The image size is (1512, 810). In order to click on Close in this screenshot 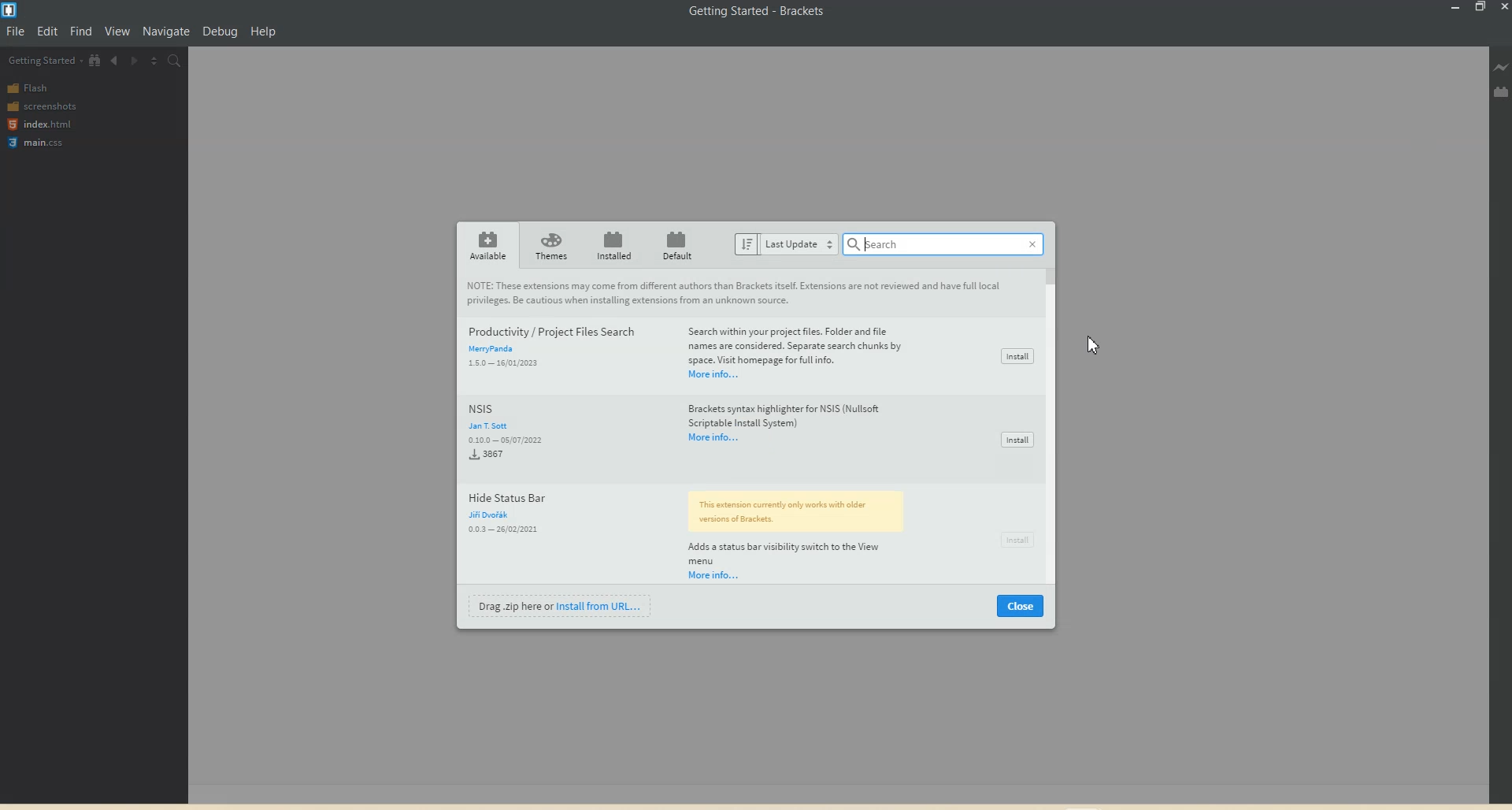, I will do `click(1021, 607)`.